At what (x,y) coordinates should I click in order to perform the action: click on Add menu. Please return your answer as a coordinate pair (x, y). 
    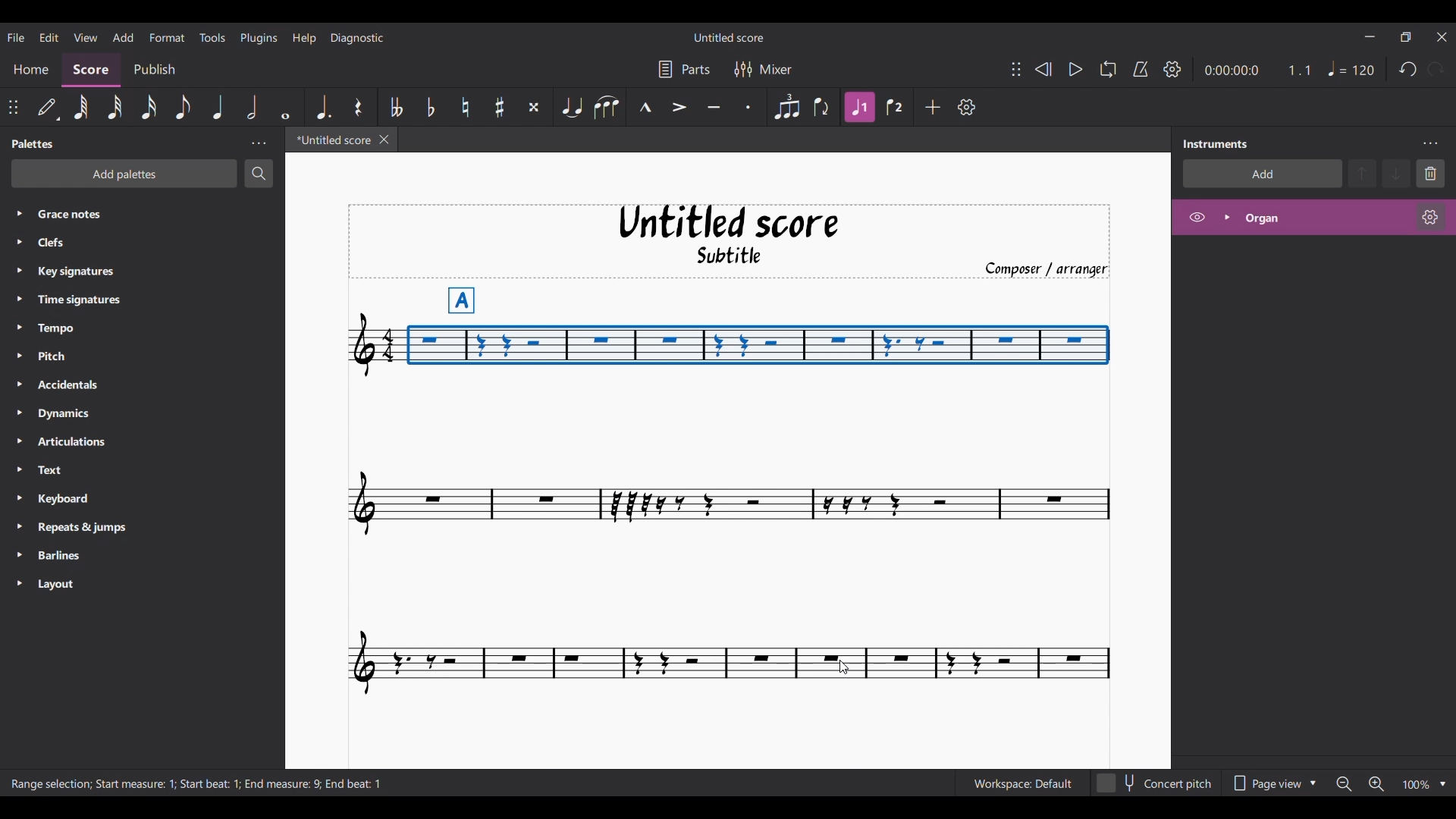
    Looking at the image, I should click on (123, 37).